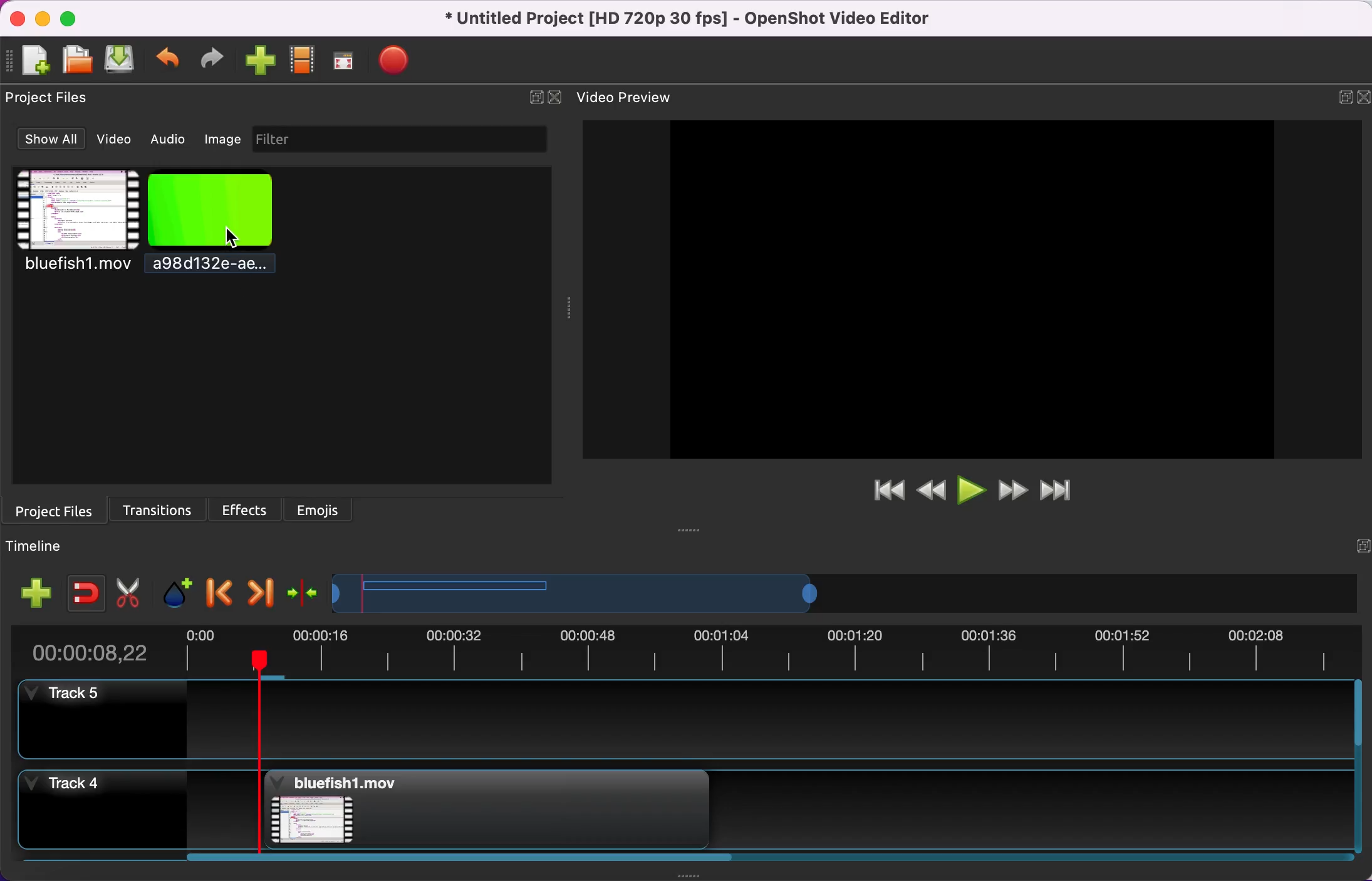 The height and width of the screenshot is (881, 1372). Describe the element at coordinates (974, 492) in the screenshot. I see `play` at that location.